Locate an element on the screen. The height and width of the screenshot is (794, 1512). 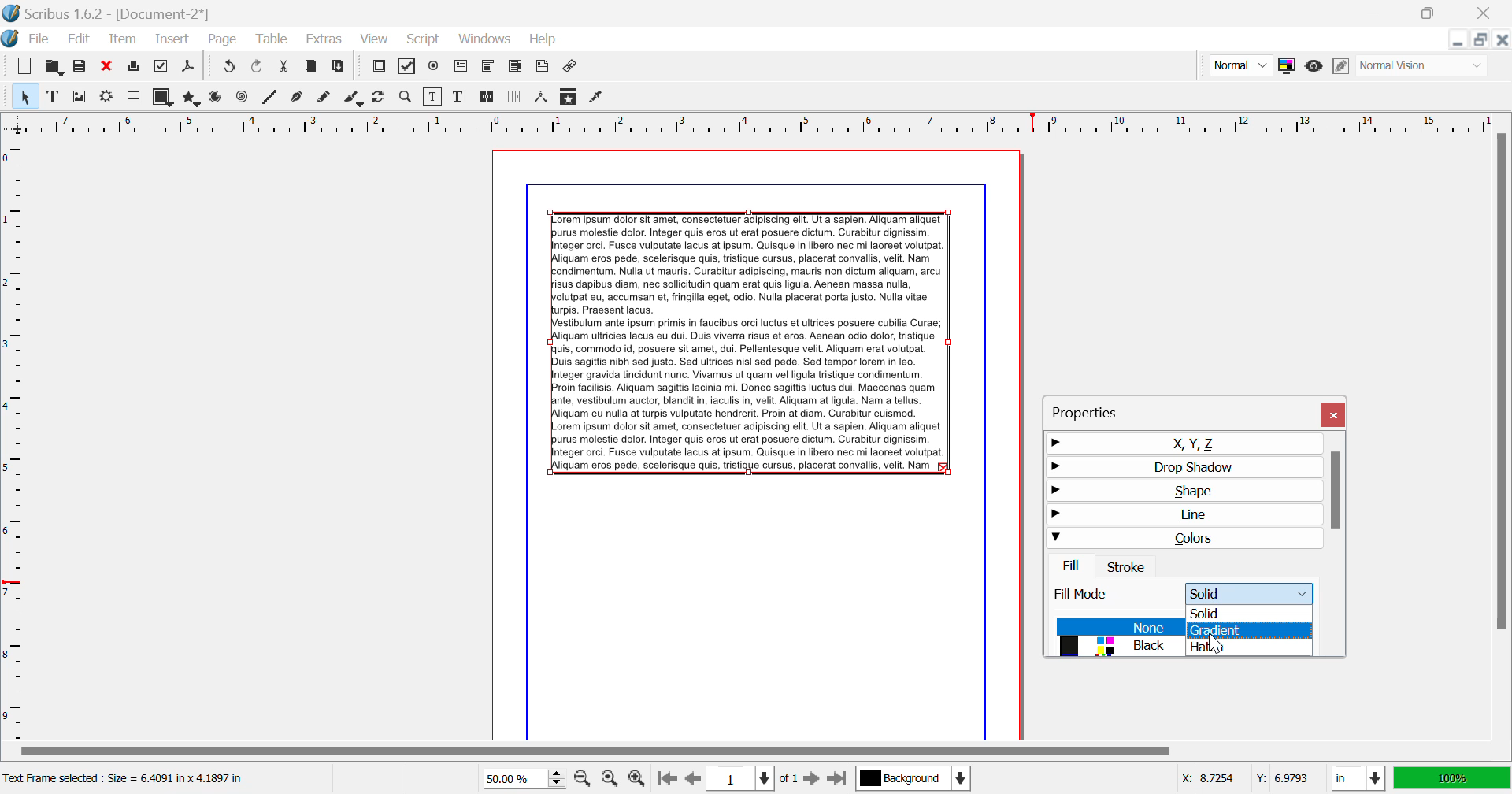
Close is located at coordinates (1503, 39).